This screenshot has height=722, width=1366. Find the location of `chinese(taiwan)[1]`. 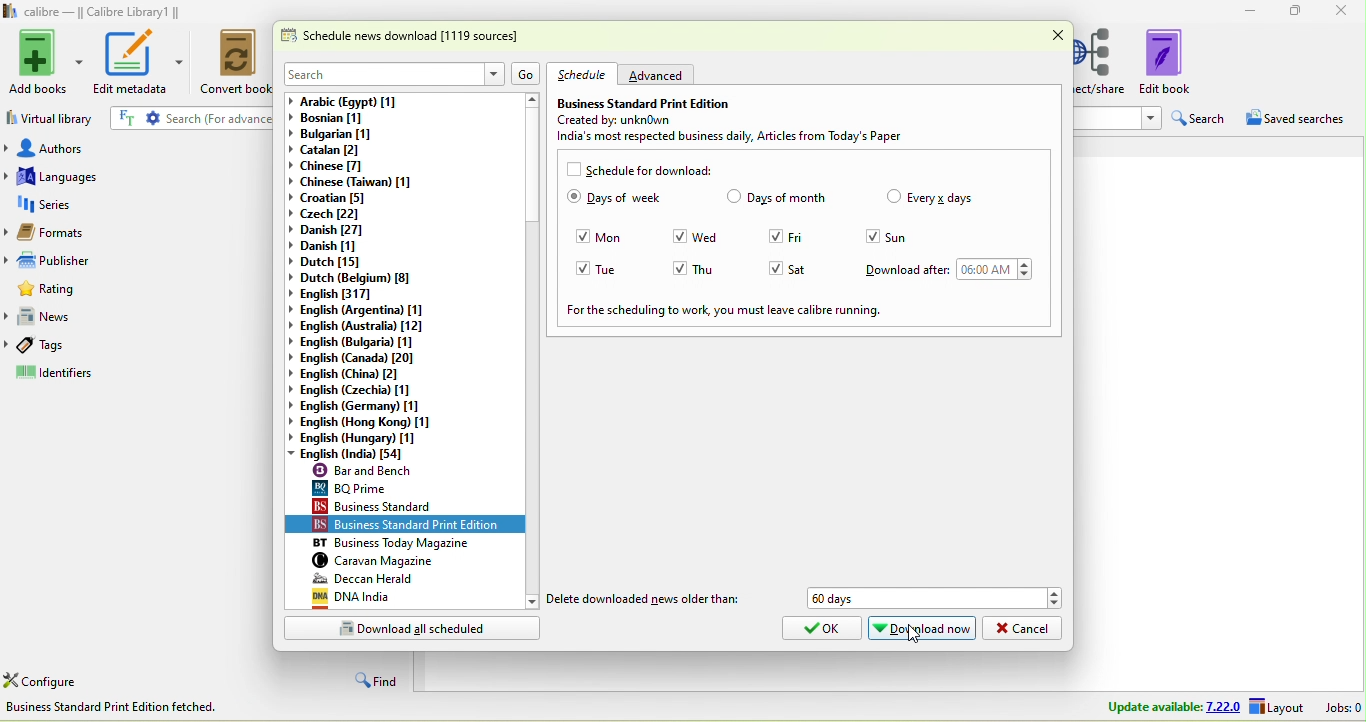

chinese(taiwan)[1] is located at coordinates (352, 182).